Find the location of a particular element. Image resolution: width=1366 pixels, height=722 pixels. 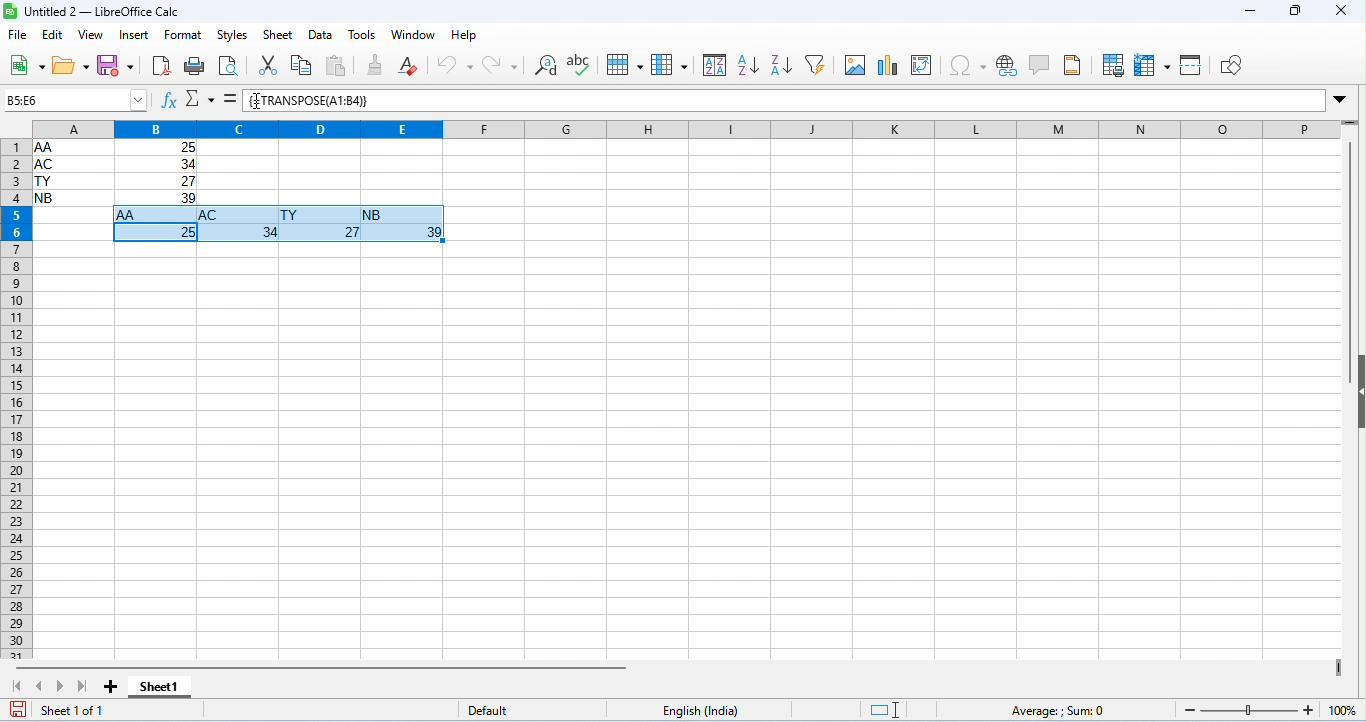

print preview is located at coordinates (230, 67).